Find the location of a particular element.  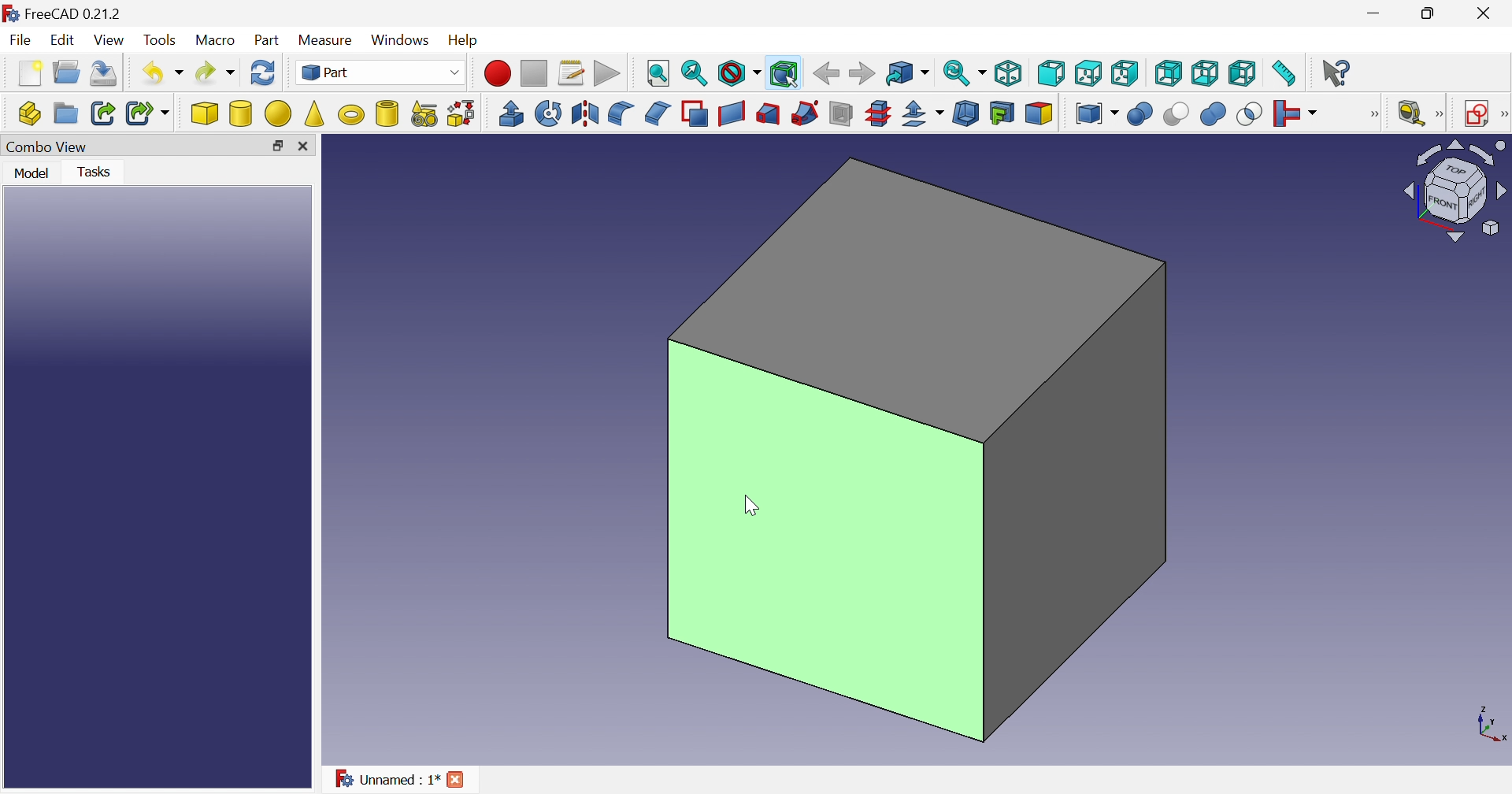

Redo is located at coordinates (217, 72).